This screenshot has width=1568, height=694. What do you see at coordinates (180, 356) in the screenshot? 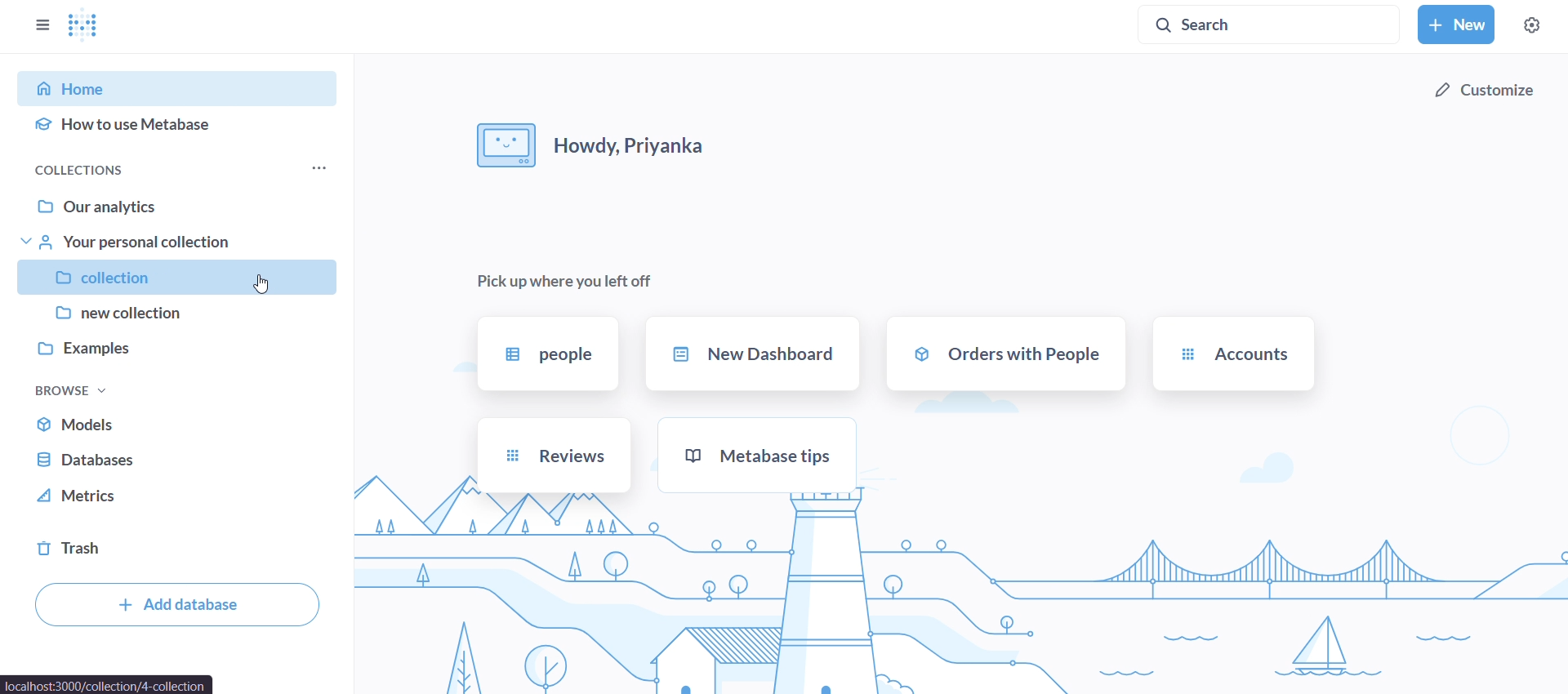
I see `examples` at bounding box center [180, 356].